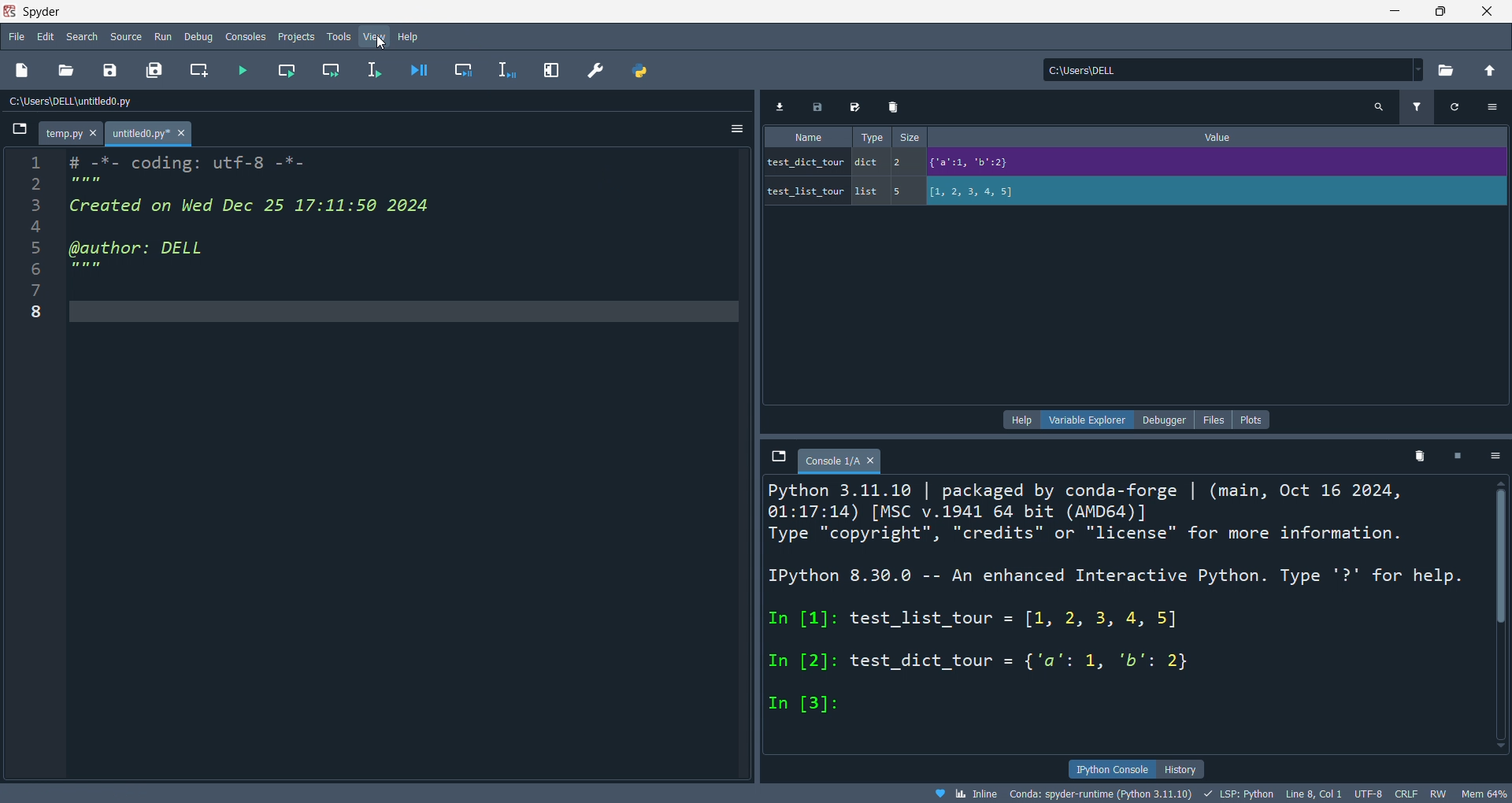  I want to click on memory usage, so click(1484, 794).